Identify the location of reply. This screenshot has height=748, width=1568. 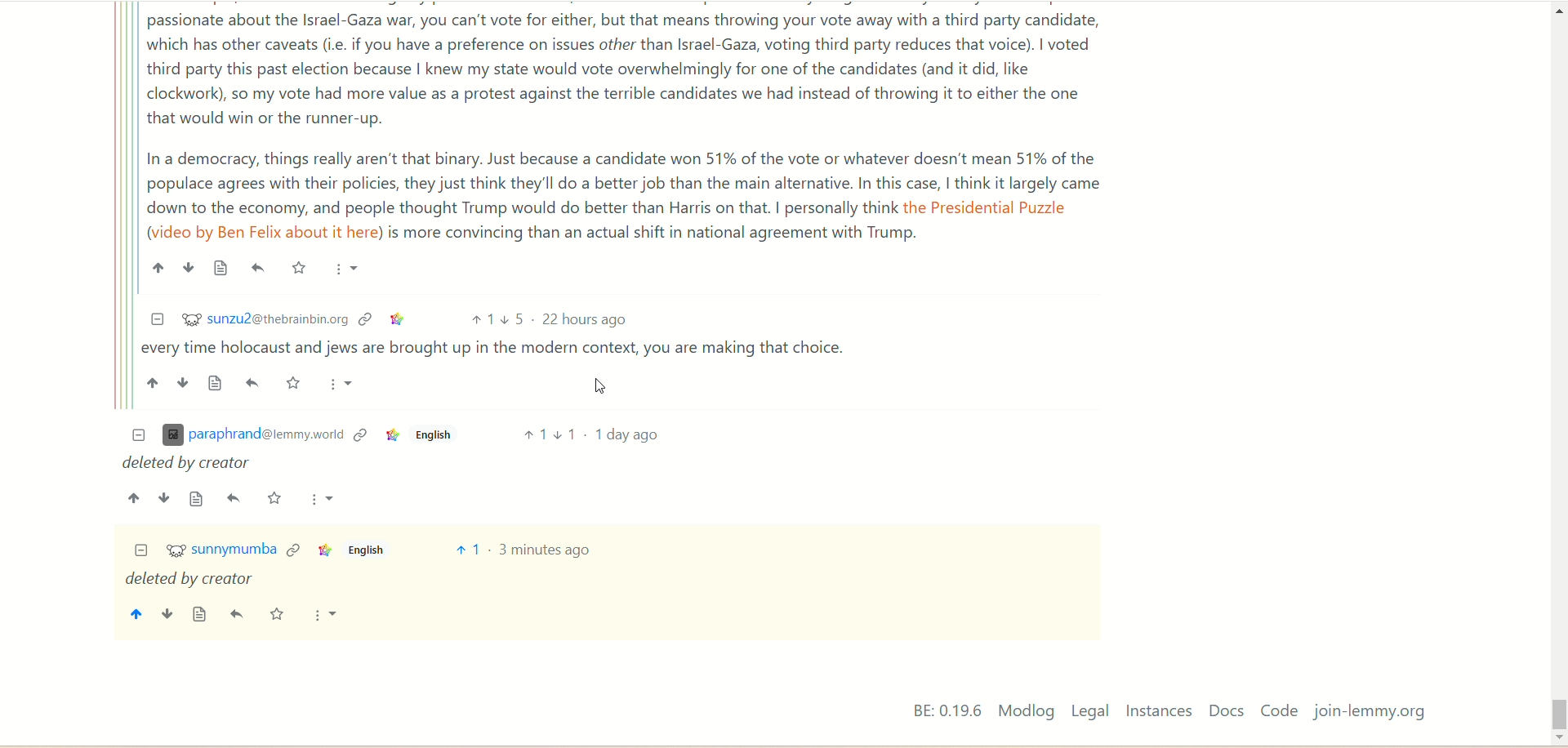
(239, 615).